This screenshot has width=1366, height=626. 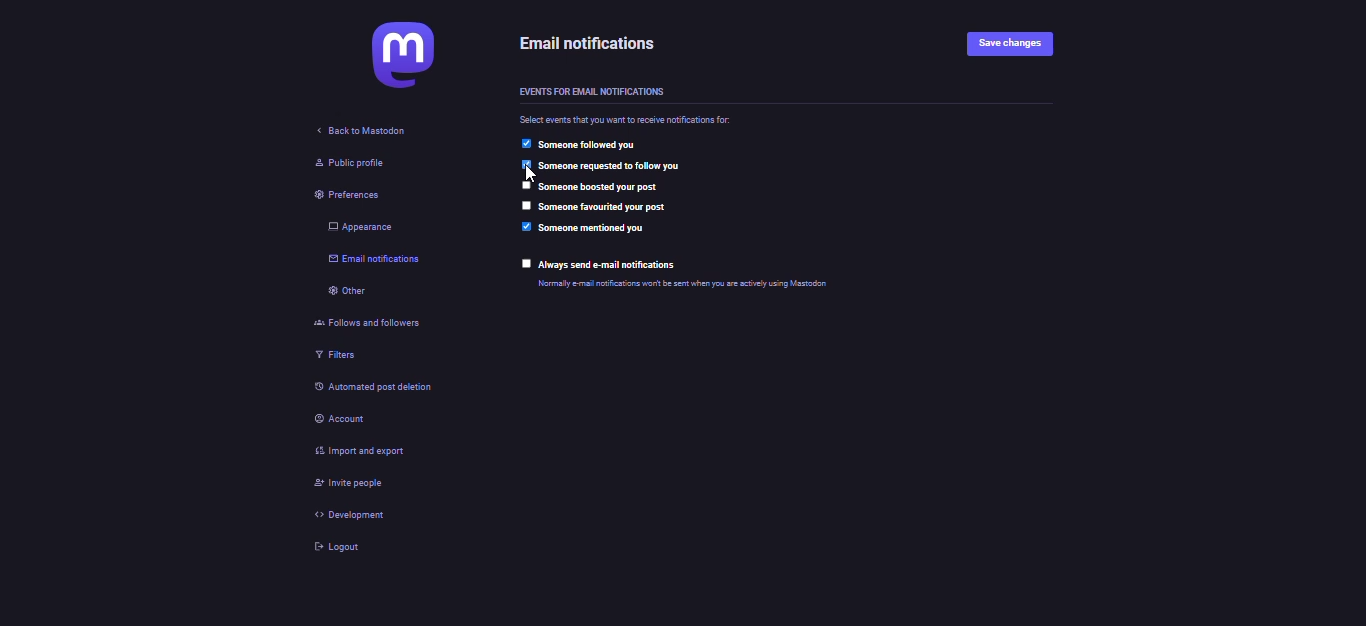 What do you see at coordinates (594, 145) in the screenshot?
I see `someone followed you` at bounding box center [594, 145].